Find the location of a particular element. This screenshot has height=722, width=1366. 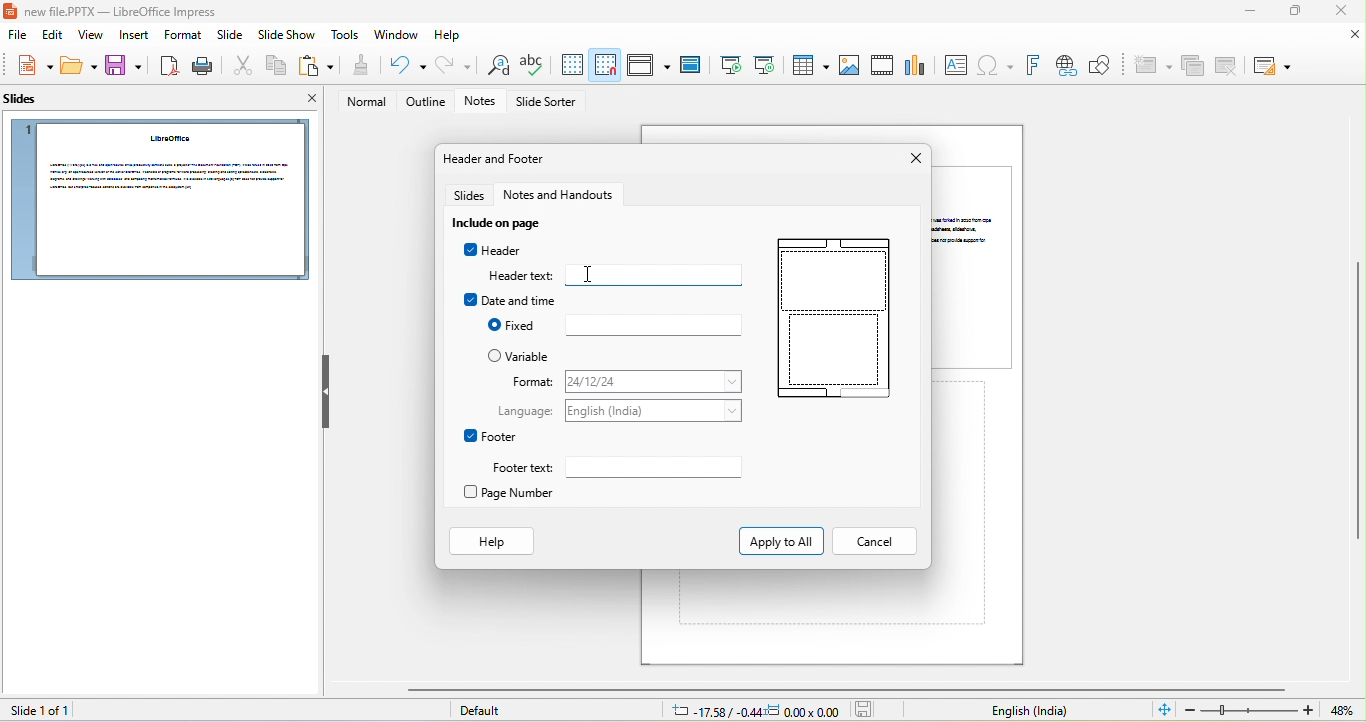

file is located at coordinates (14, 36).